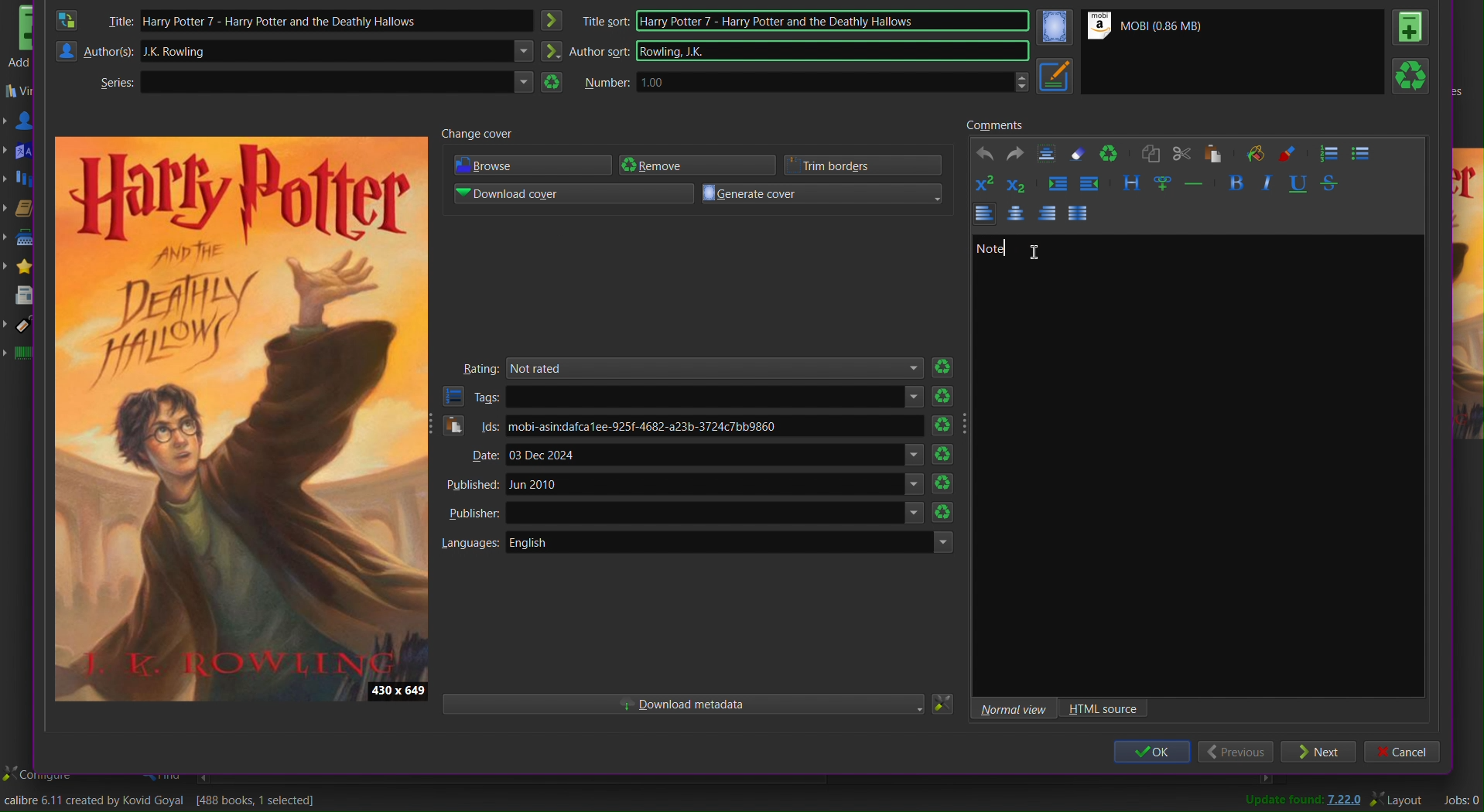 The height and width of the screenshot is (812, 1484). What do you see at coordinates (1041, 246) in the screenshot?
I see `Cursor` at bounding box center [1041, 246].